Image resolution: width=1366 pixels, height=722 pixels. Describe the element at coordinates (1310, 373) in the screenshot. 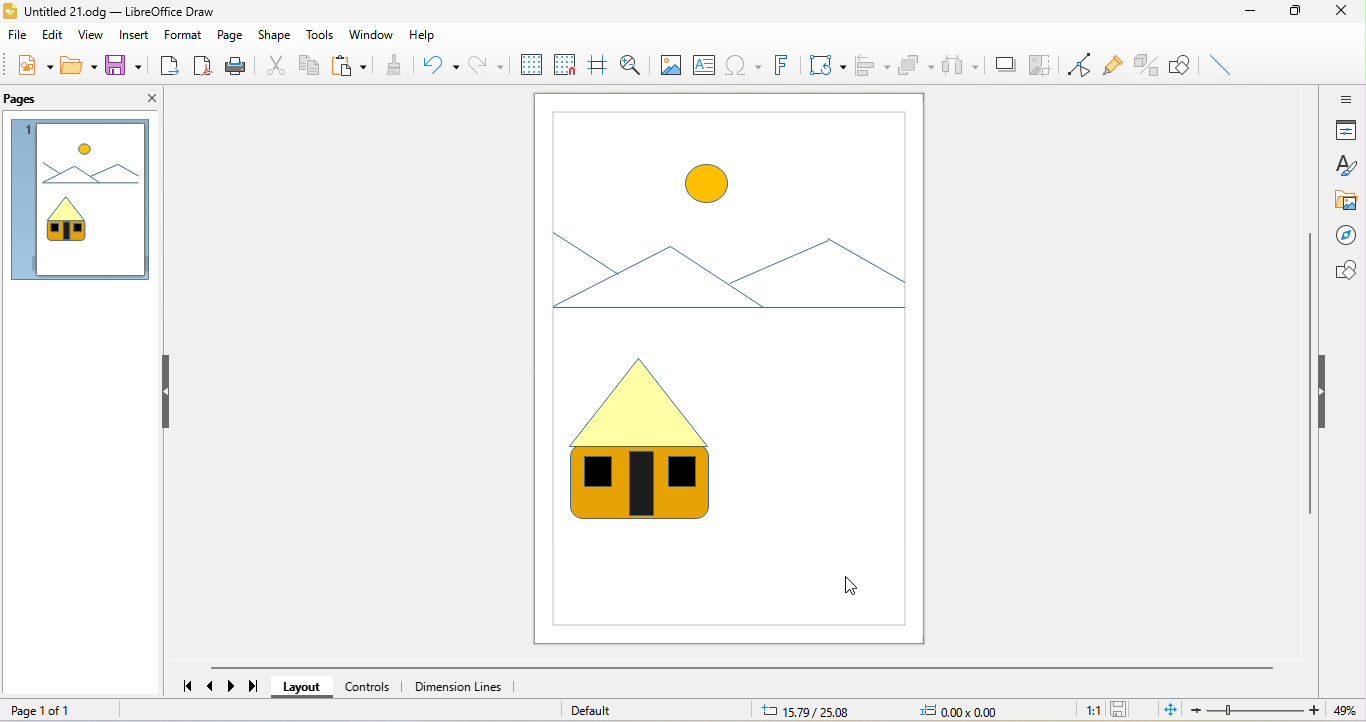

I see `vertical slider` at that location.